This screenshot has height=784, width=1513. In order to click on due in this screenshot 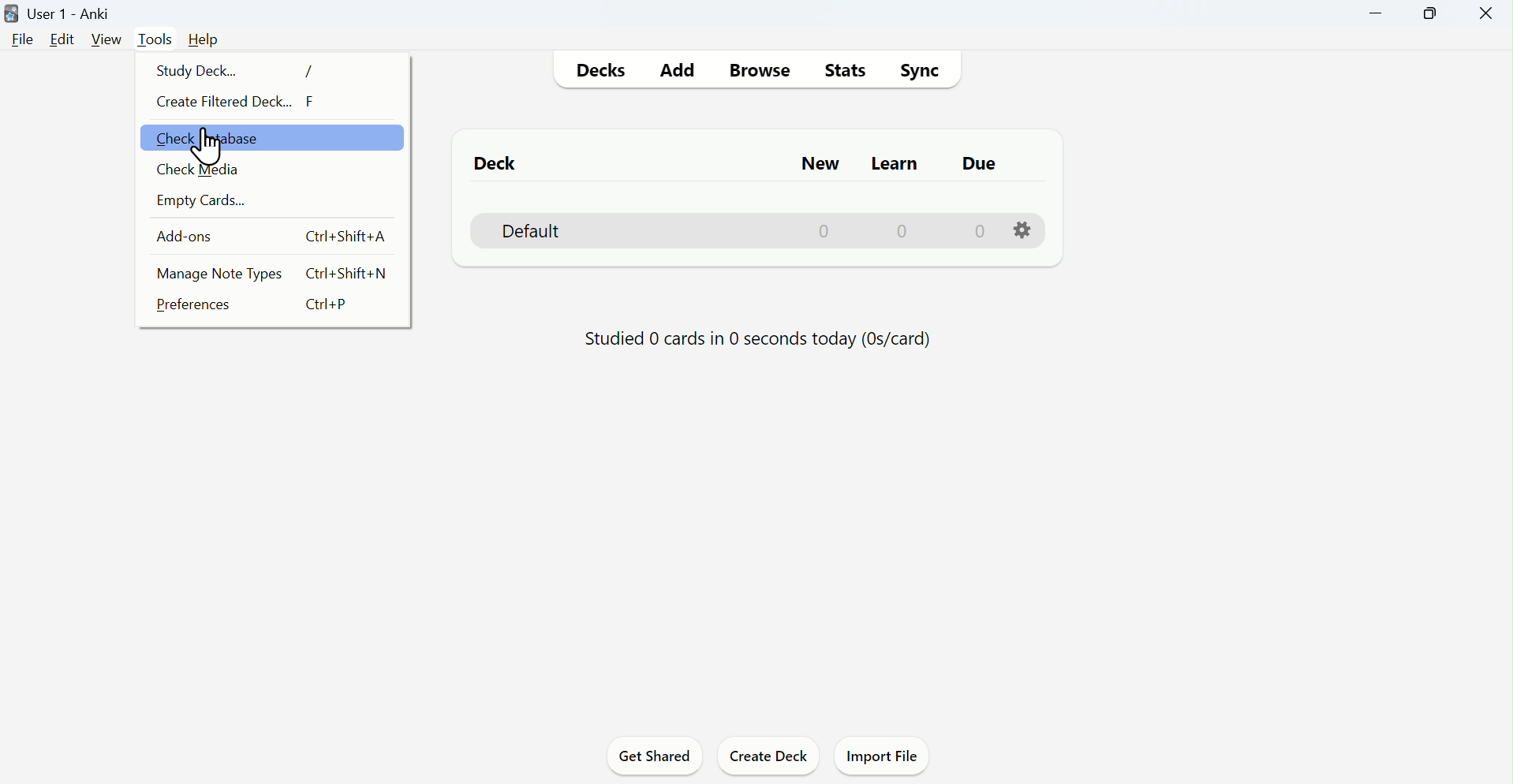, I will do `click(977, 171)`.